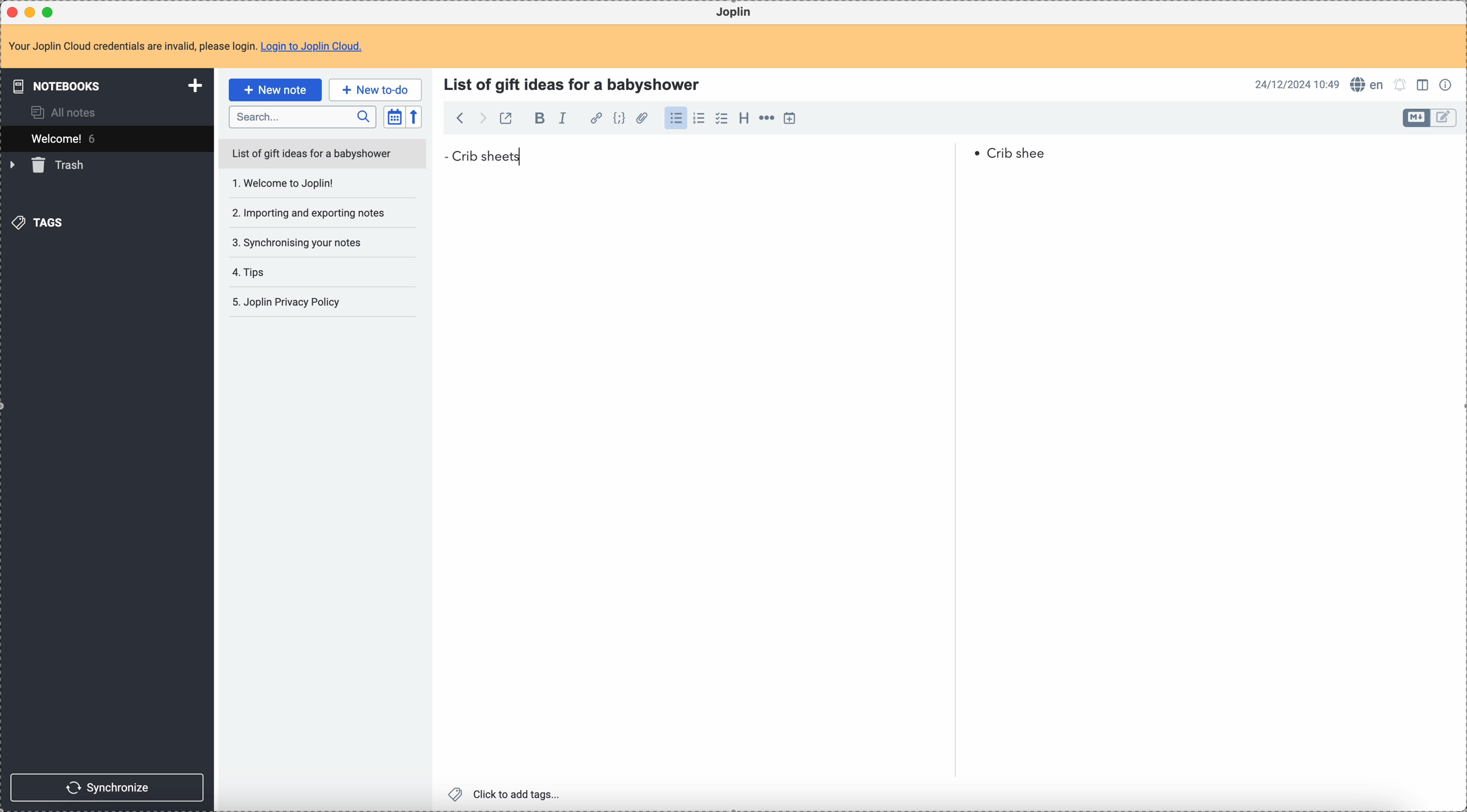 Image resolution: width=1467 pixels, height=812 pixels. I want to click on checklist, so click(722, 119).